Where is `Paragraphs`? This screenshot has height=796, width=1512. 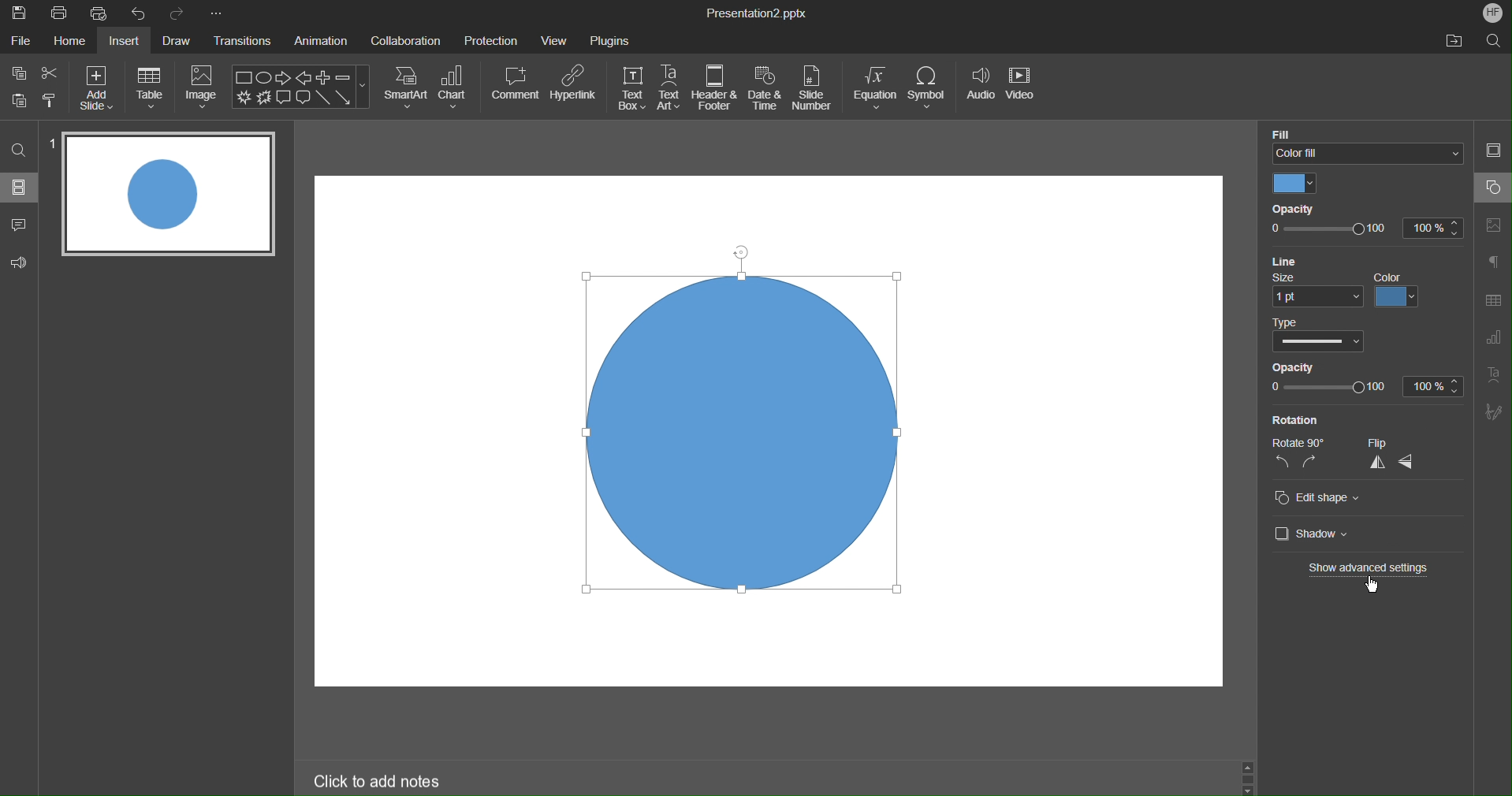
Paragraphs is located at coordinates (1494, 261).